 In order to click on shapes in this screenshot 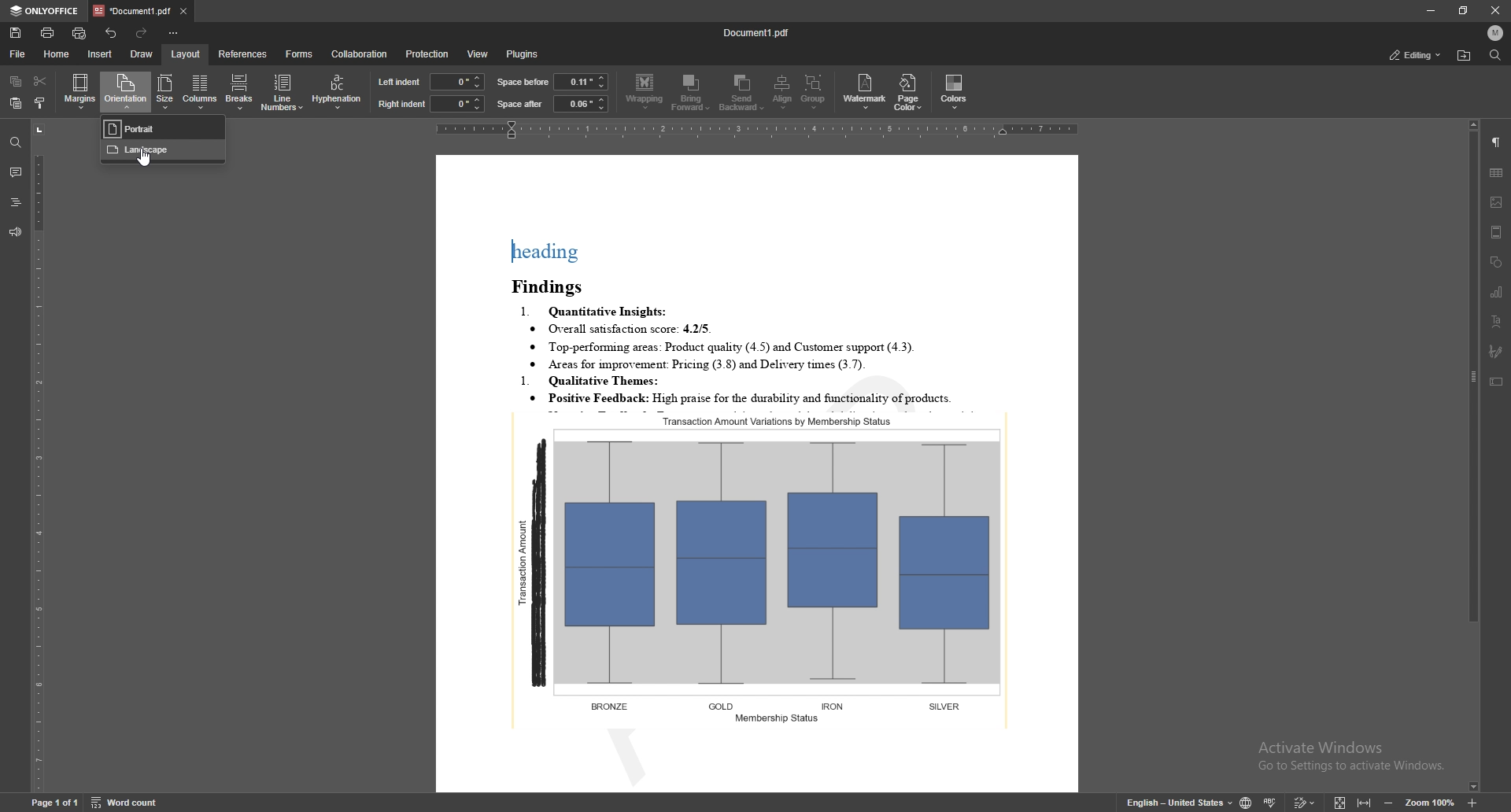, I will do `click(1496, 262)`.